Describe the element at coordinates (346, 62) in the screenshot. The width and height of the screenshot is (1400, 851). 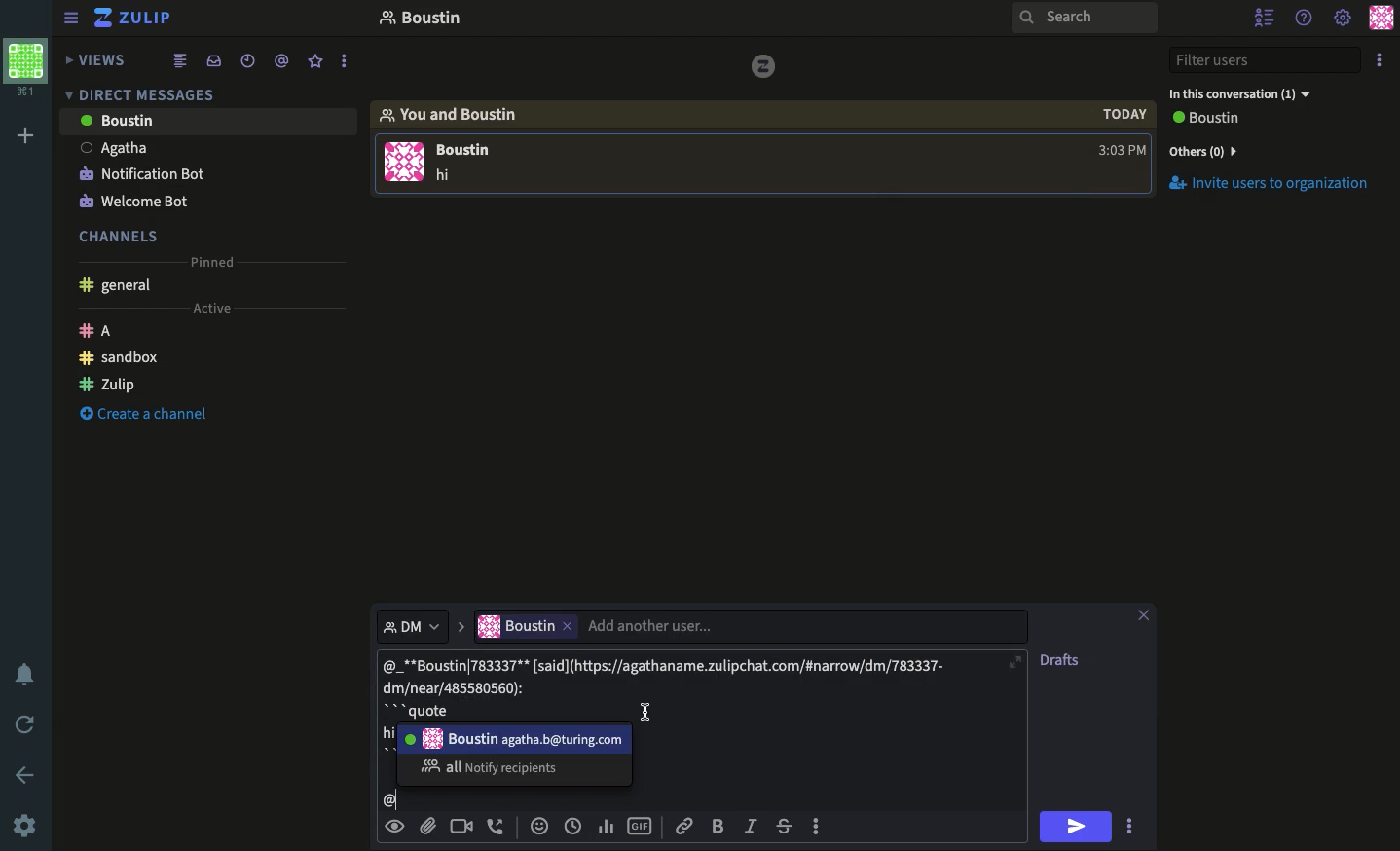
I see `more` at that location.